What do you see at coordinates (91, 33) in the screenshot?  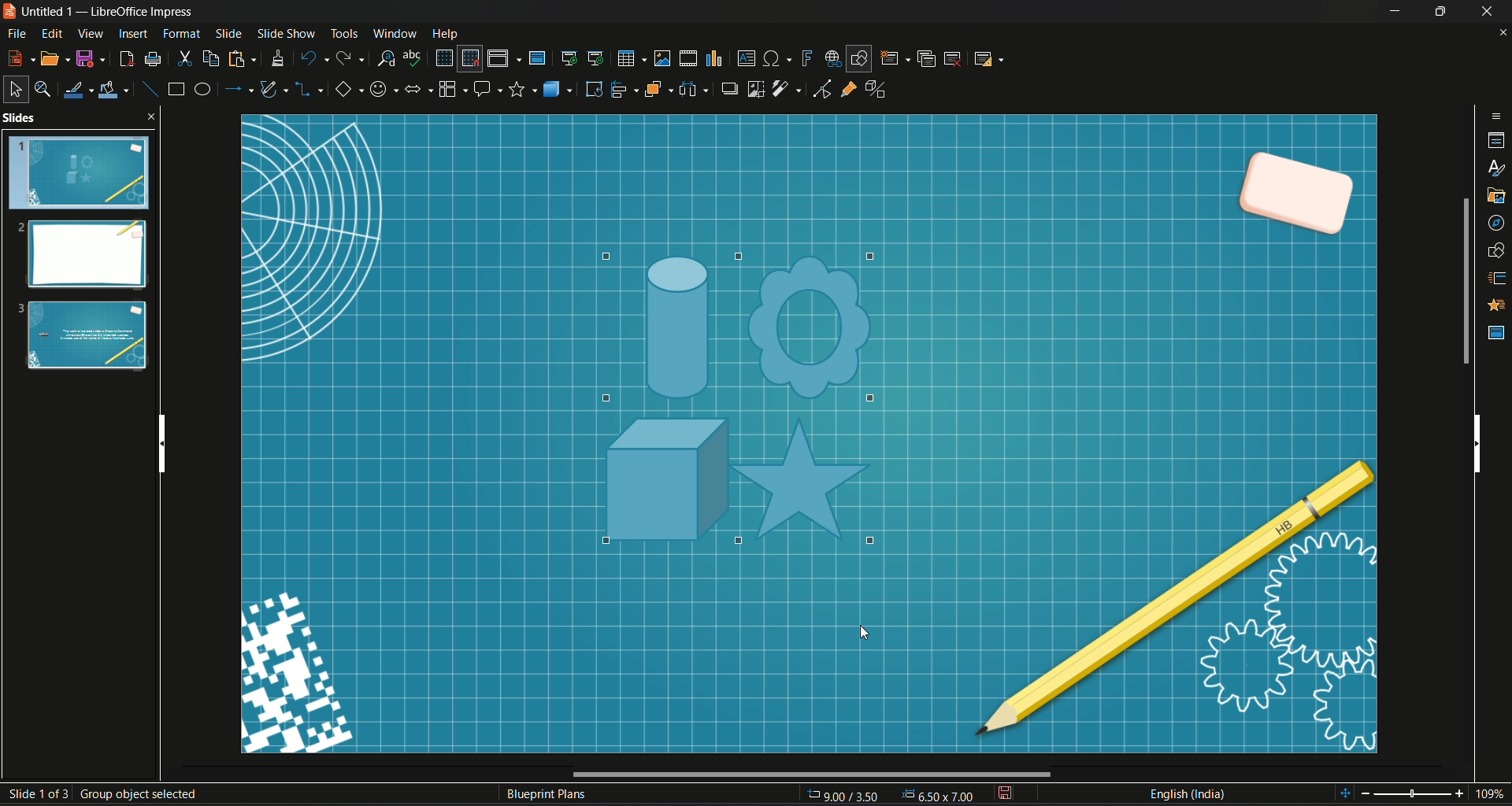 I see `View` at bounding box center [91, 33].